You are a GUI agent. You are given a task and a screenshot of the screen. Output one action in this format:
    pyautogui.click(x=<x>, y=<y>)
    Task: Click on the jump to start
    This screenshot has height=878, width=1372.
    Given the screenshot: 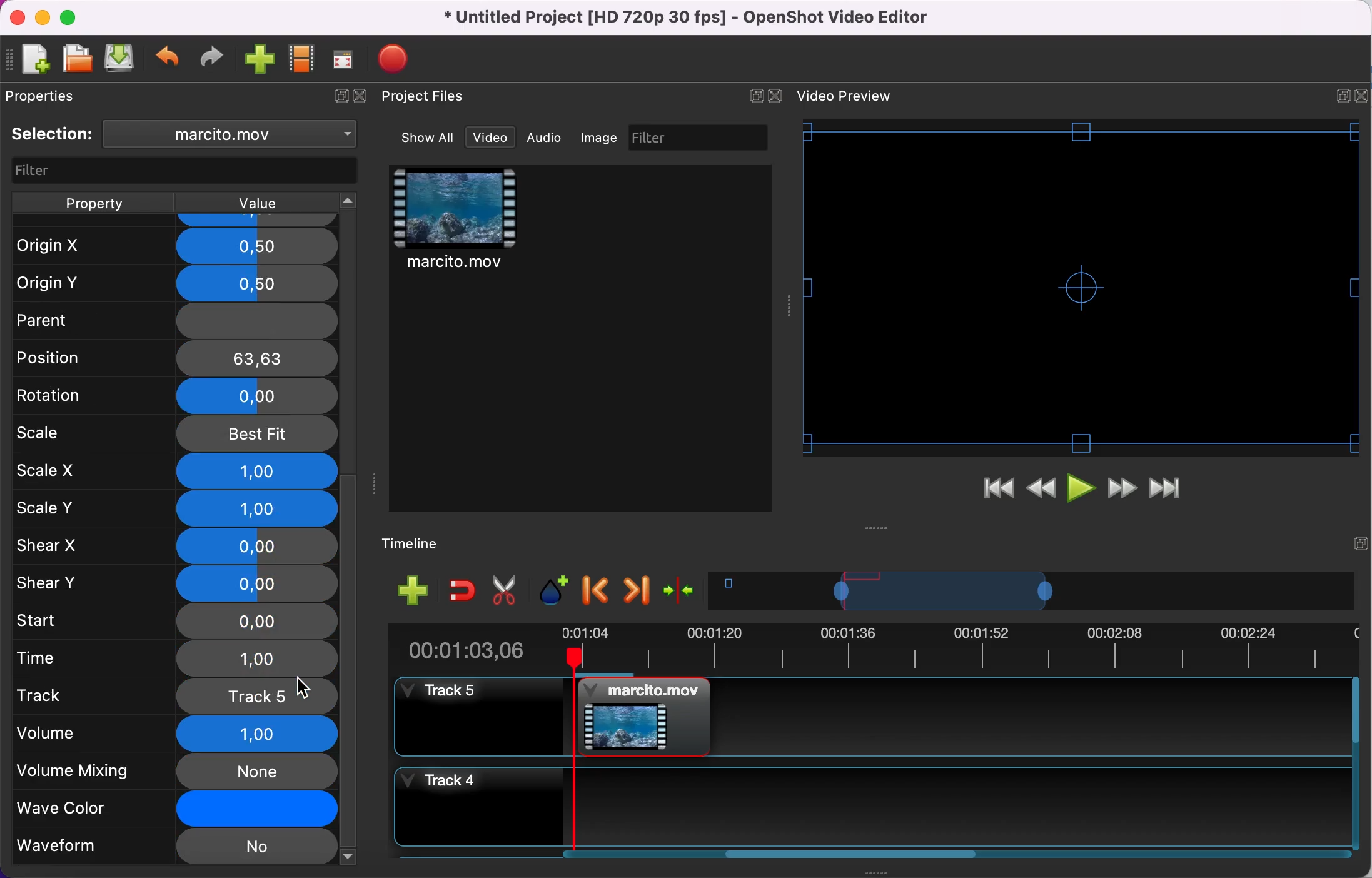 What is the action you would take?
    pyautogui.click(x=998, y=492)
    